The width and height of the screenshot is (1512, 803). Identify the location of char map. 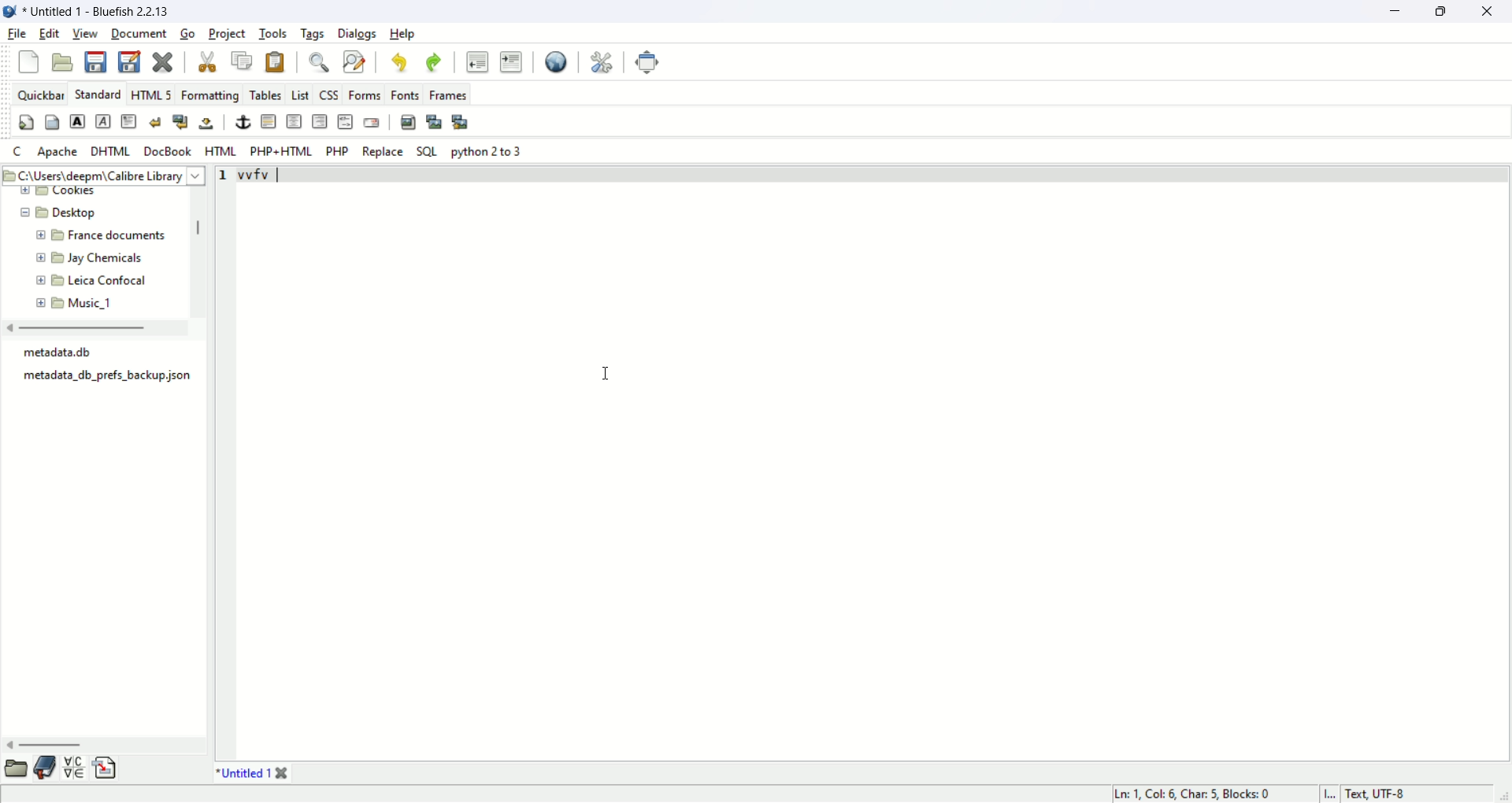
(76, 769).